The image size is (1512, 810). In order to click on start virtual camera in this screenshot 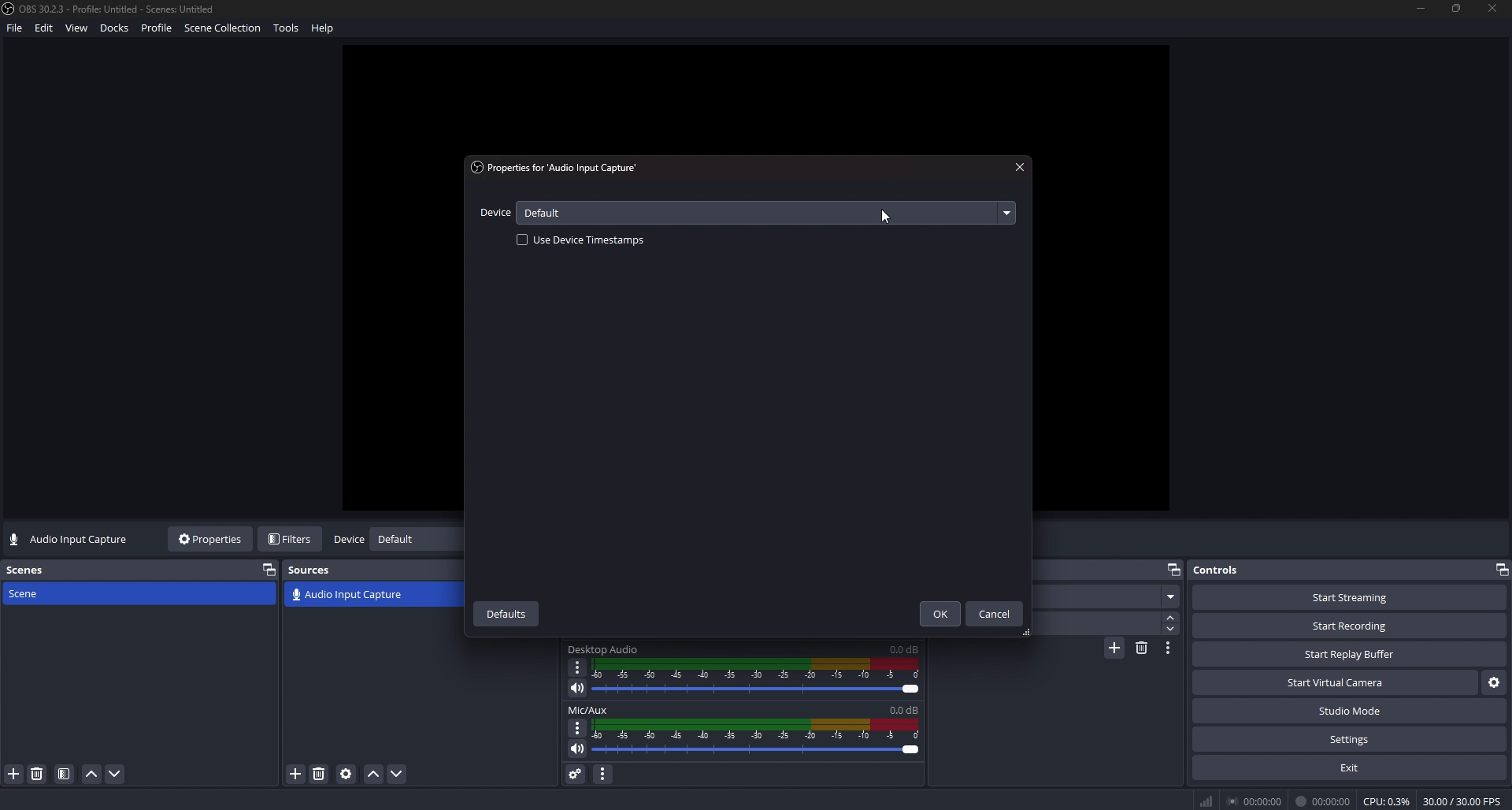, I will do `click(1334, 683)`.